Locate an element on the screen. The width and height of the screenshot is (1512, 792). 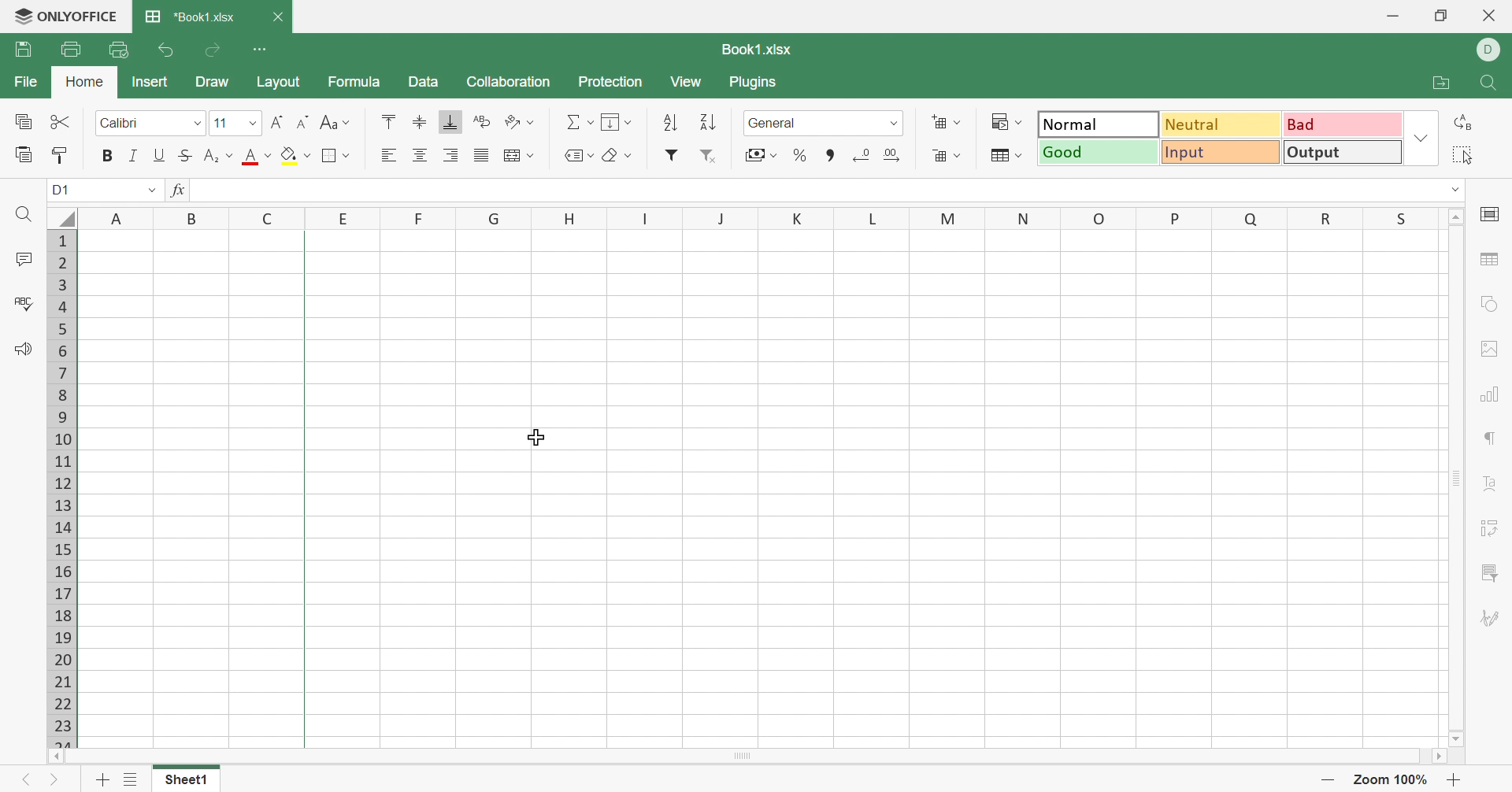
Drop Down is located at coordinates (1017, 121).